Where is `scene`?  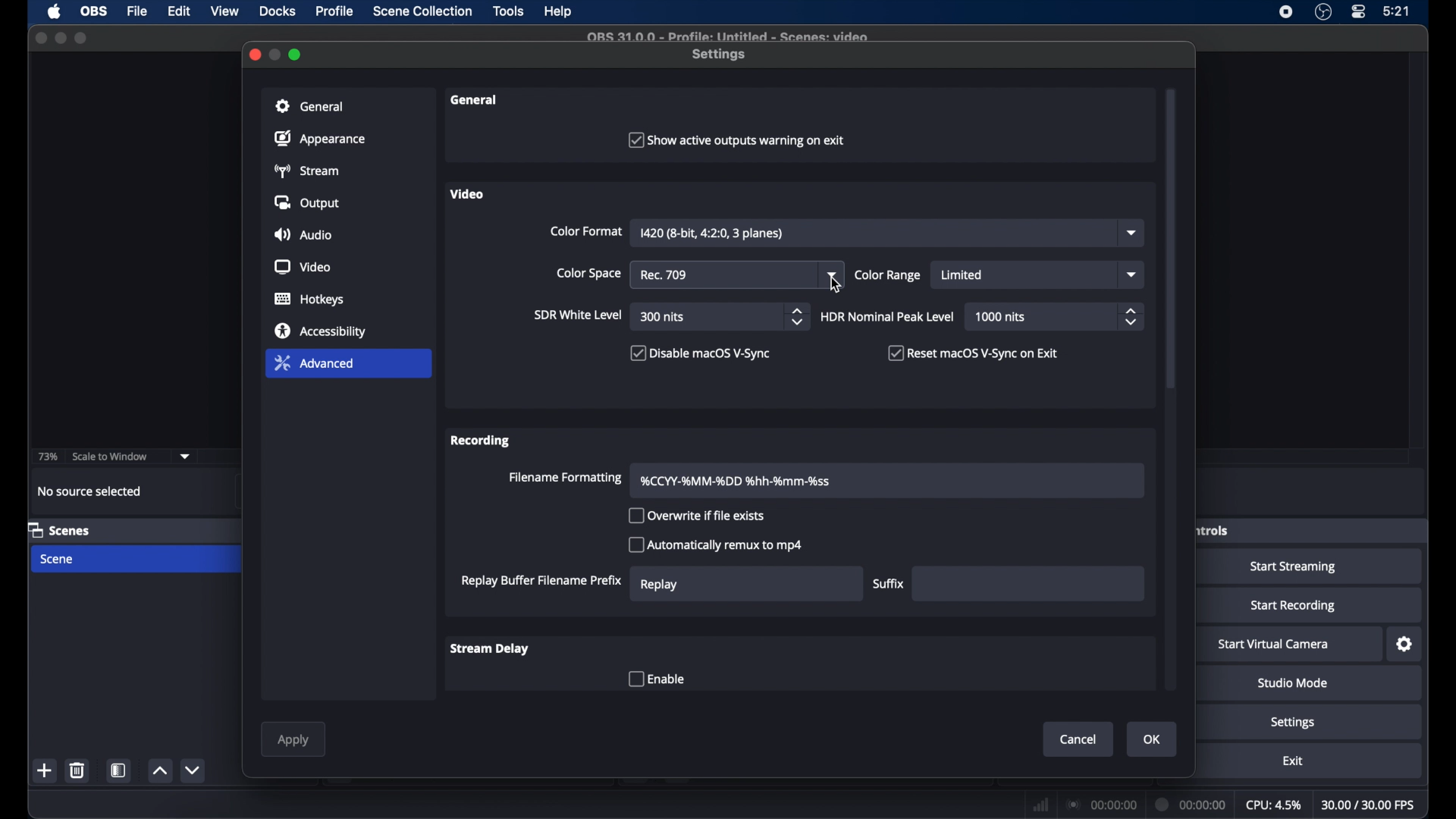
scene is located at coordinates (58, 559).